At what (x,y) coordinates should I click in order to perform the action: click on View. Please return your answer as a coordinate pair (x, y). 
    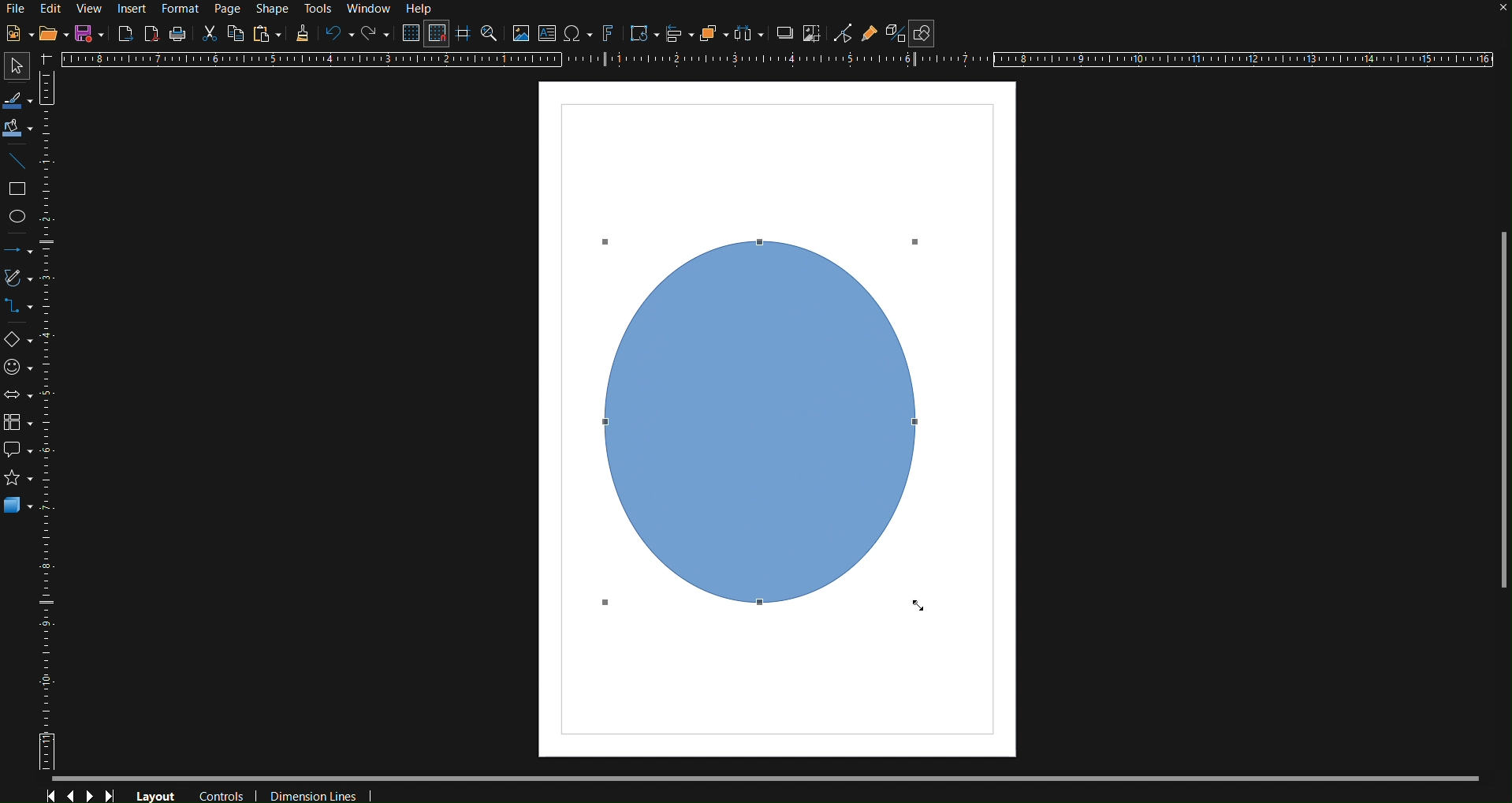
    Looking at the image, I should click on (91, 9).